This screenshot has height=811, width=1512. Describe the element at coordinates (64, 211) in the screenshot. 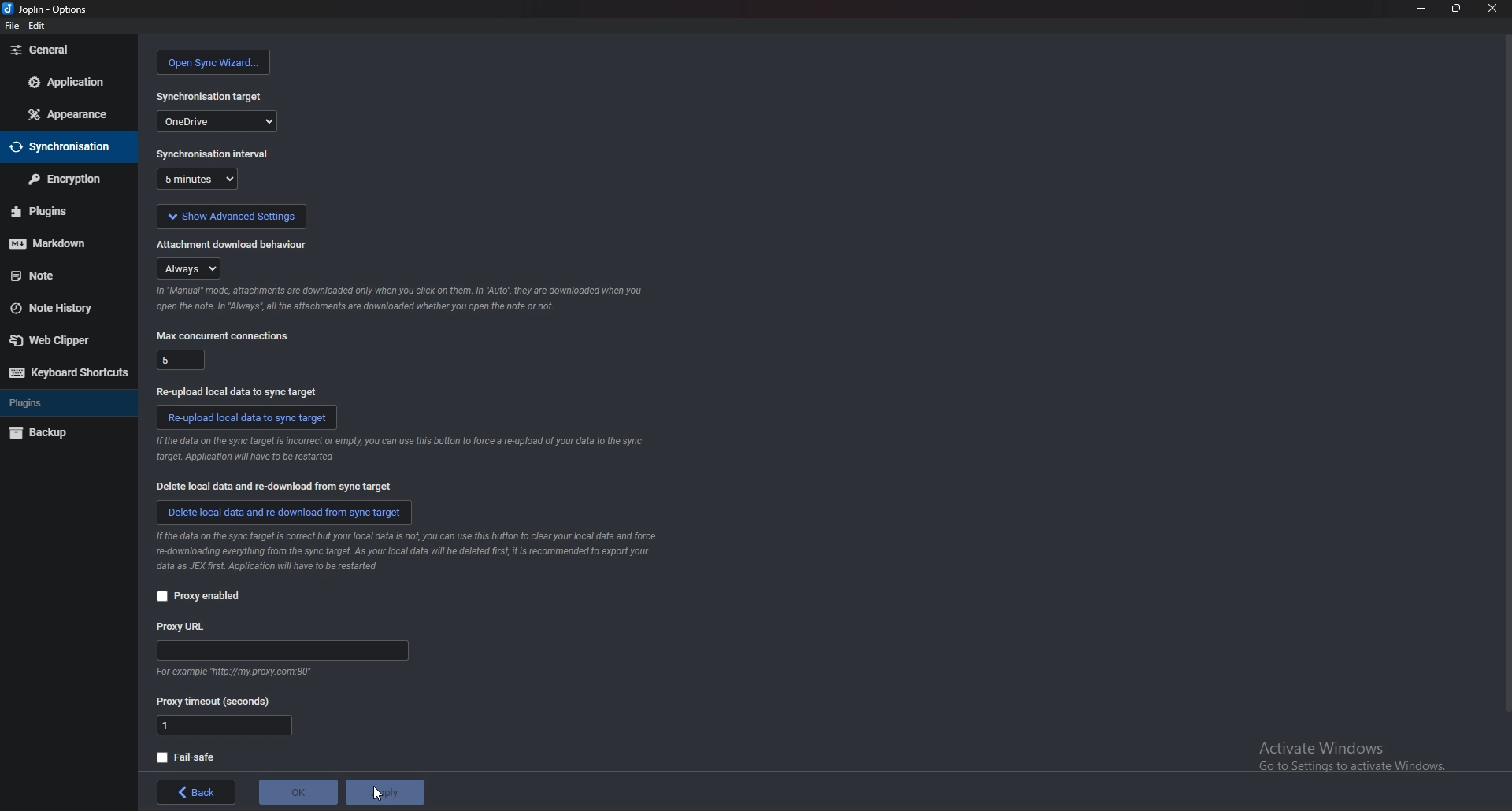

I see `plugins` at that location.